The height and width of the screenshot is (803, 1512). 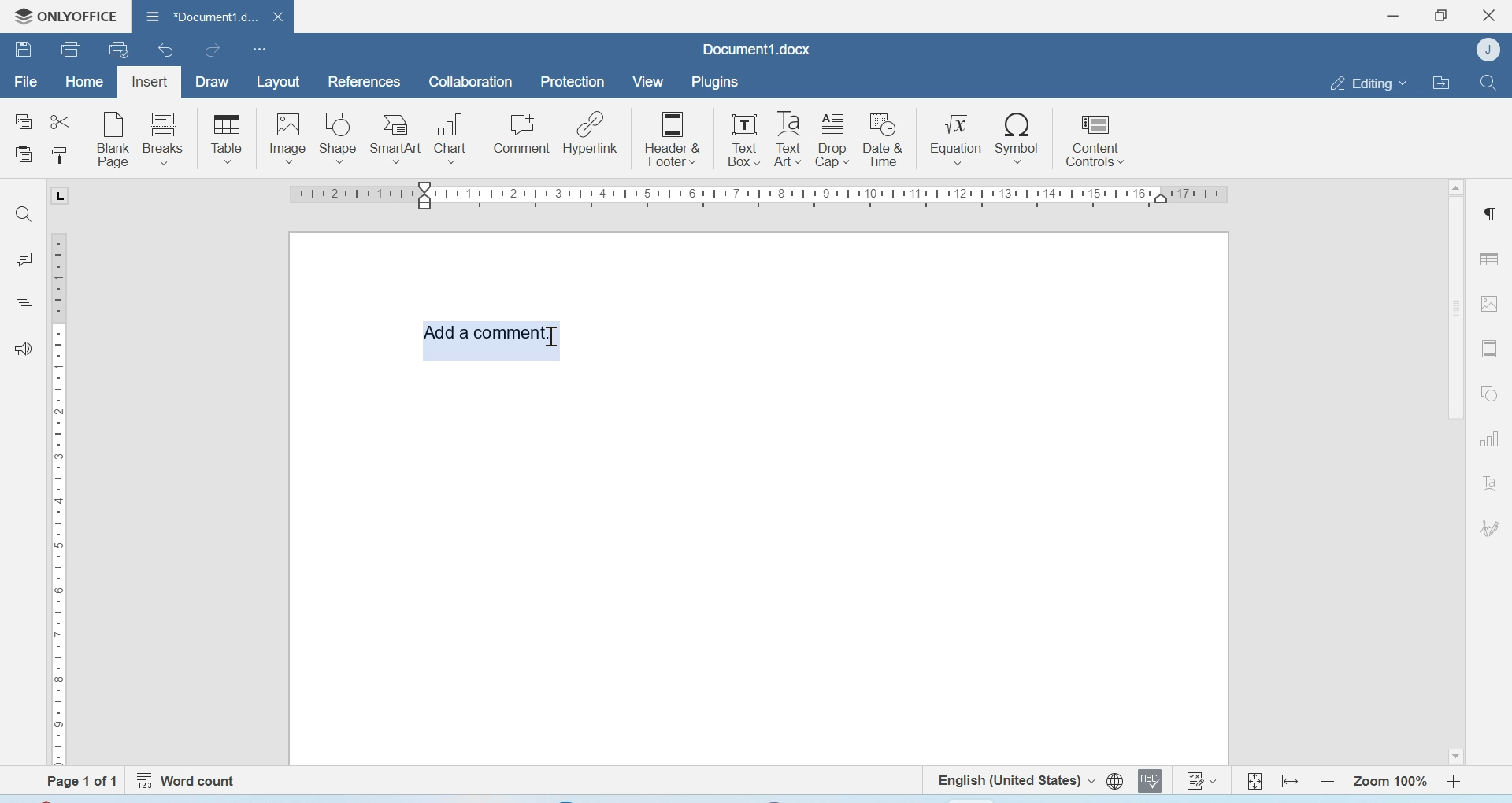 What do you see at coordinates (59, 156) in the screenshot?
I see `Copy style` at bounding box center [59, 156].